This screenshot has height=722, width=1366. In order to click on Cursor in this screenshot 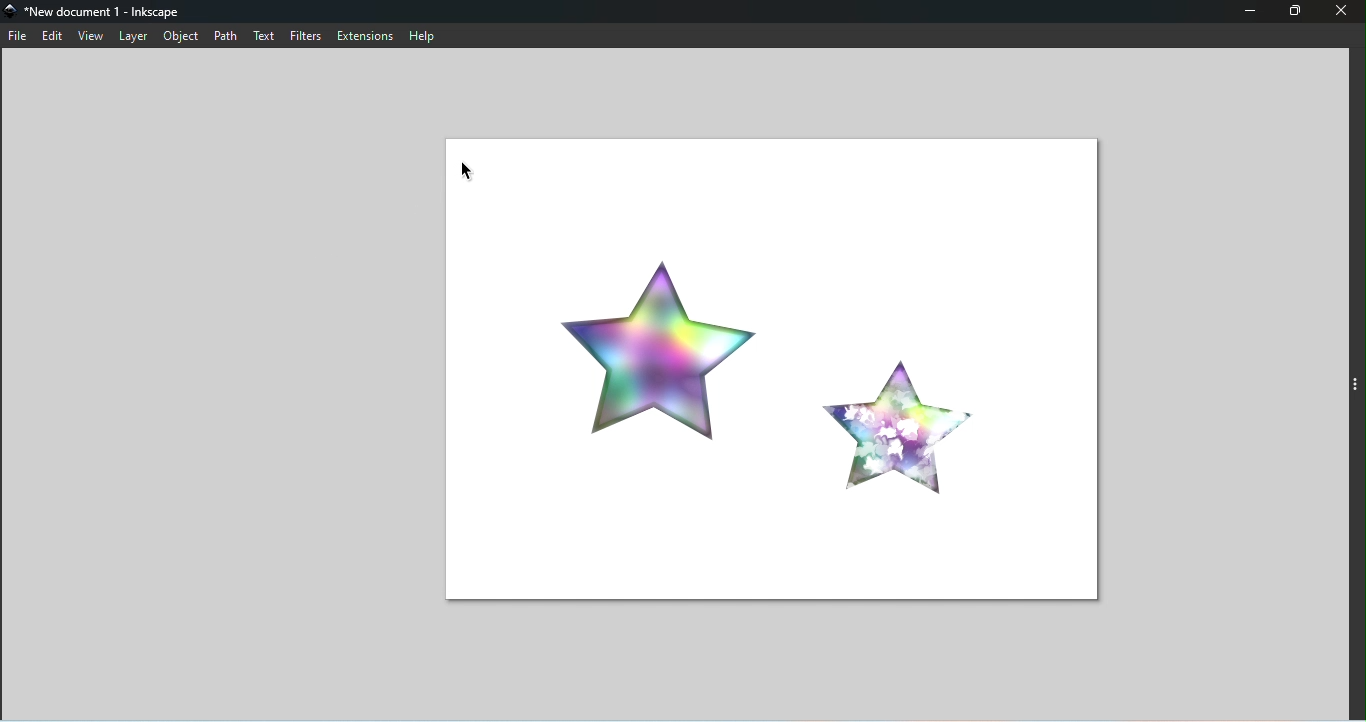, I will do `click(468, 169)`.